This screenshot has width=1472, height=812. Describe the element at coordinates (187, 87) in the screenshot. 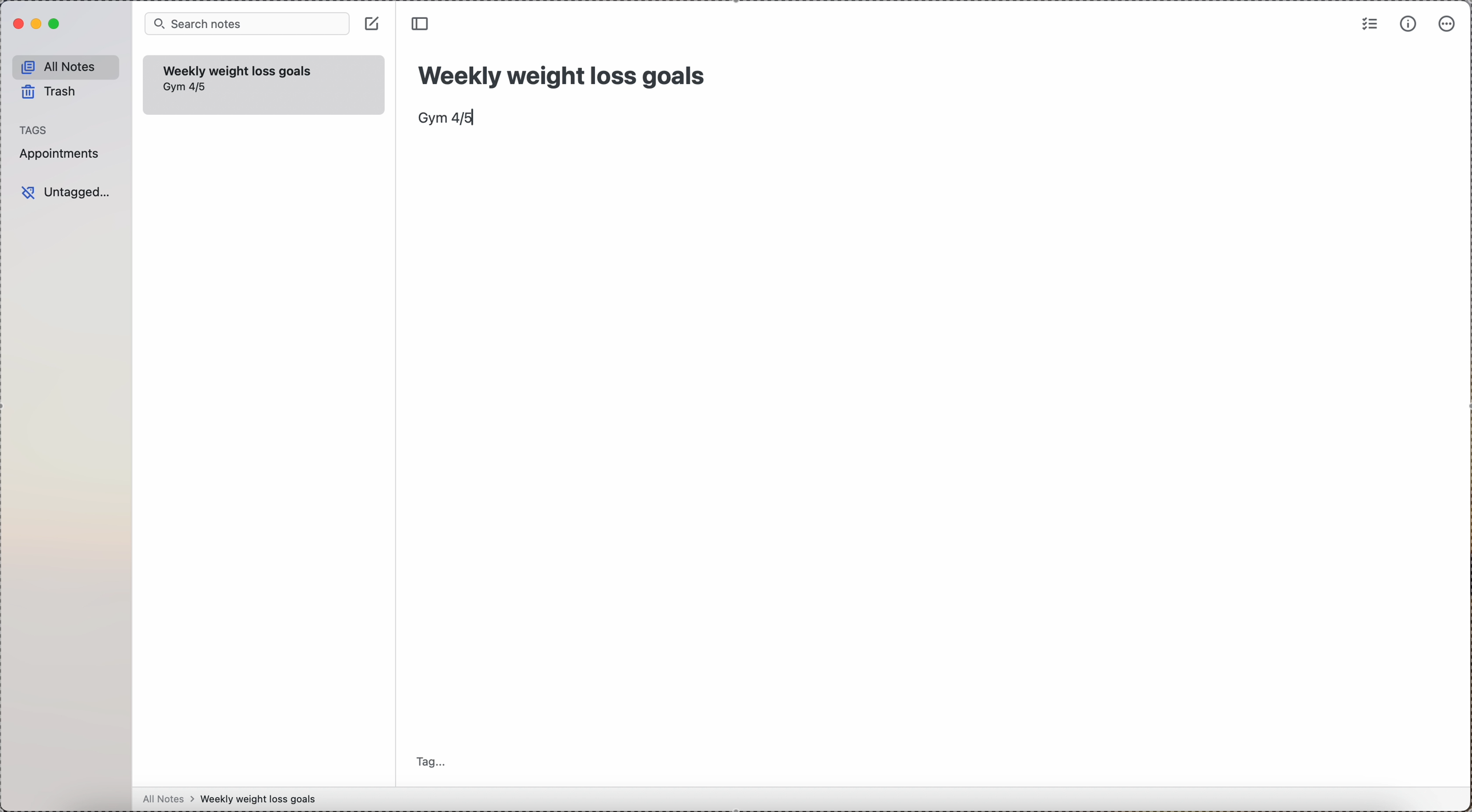

I see `Gym 4/5` at that location.